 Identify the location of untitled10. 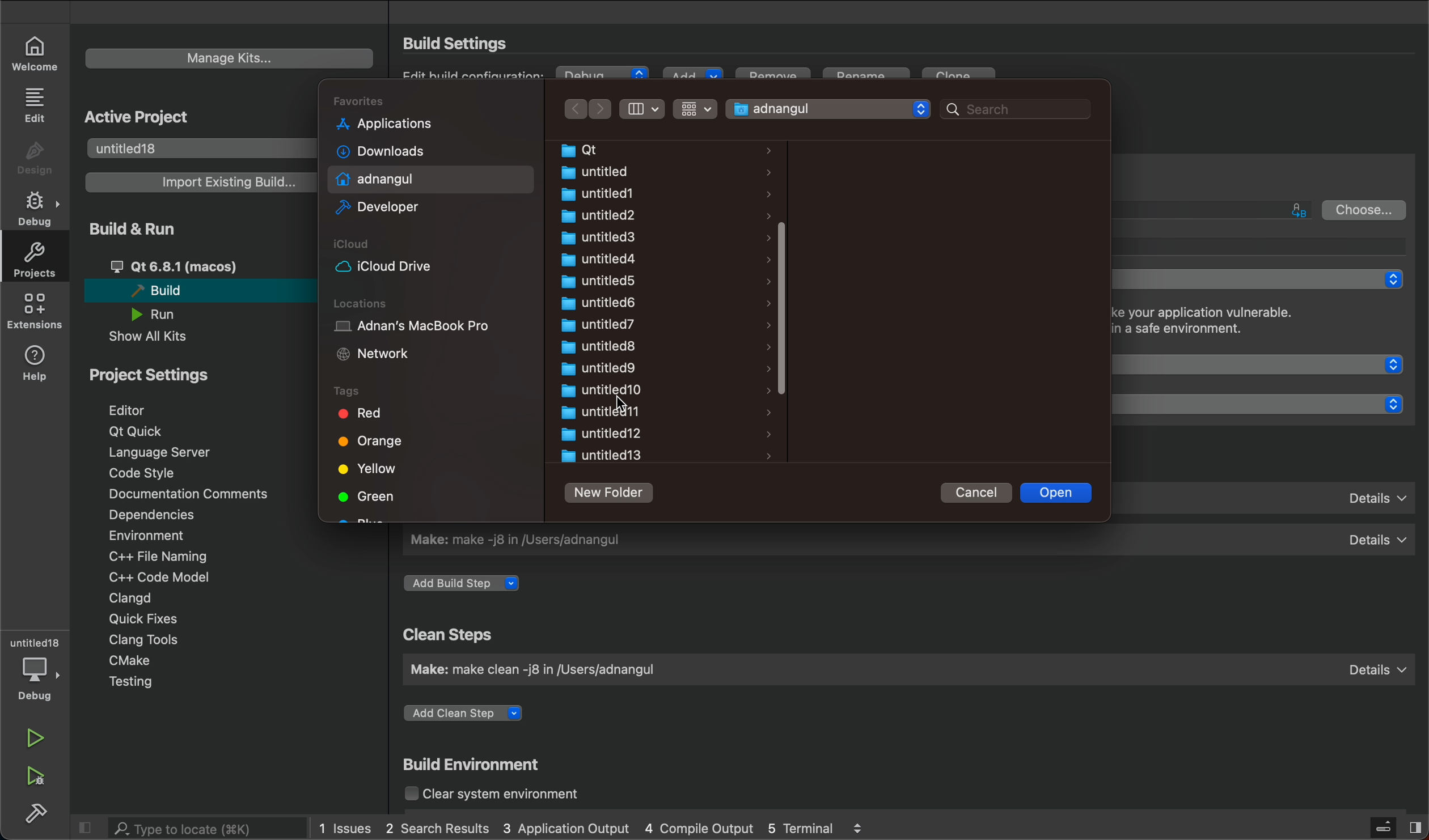
(663, 389).